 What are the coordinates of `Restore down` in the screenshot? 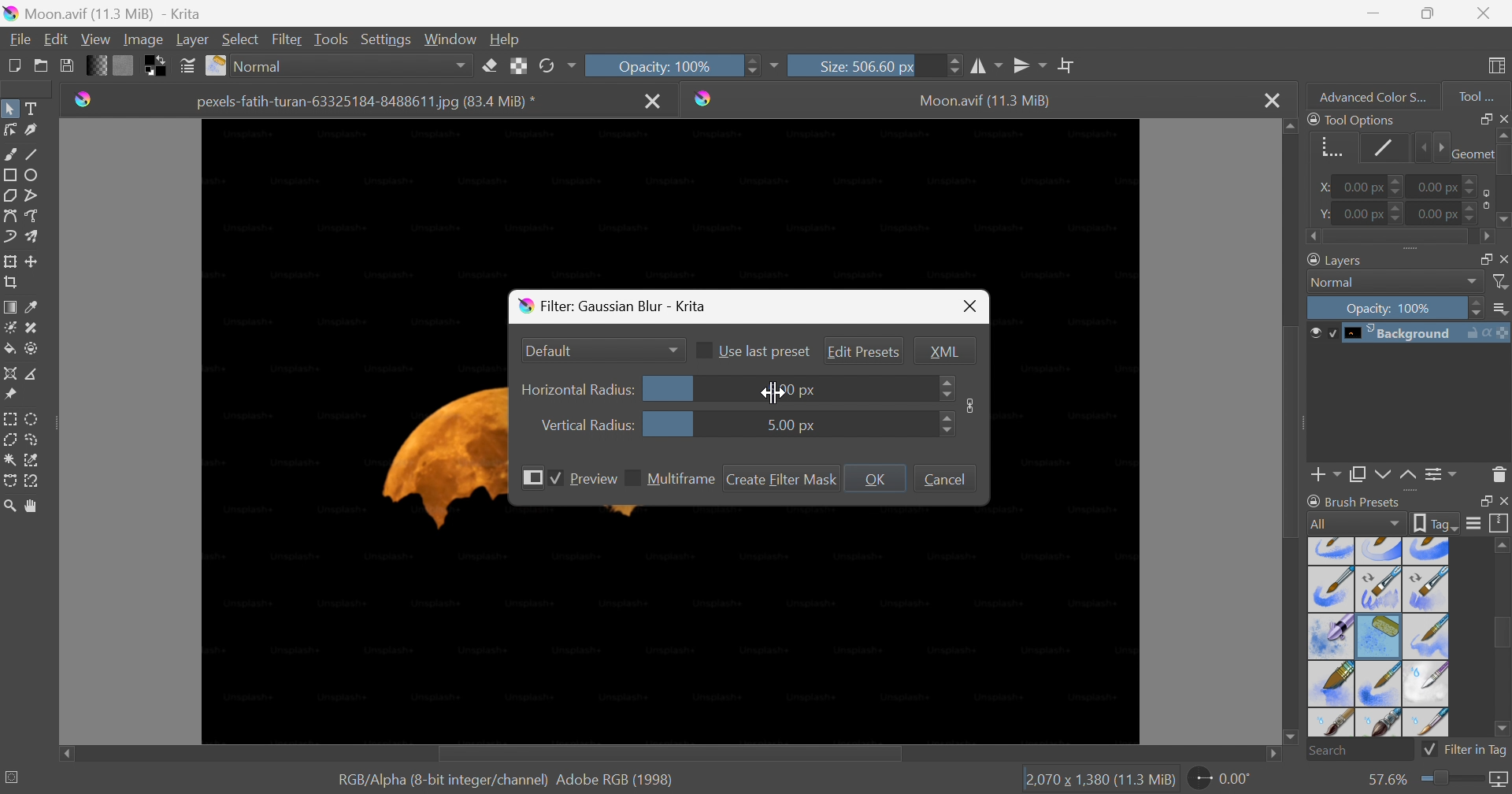 It's located at (1480, 118).